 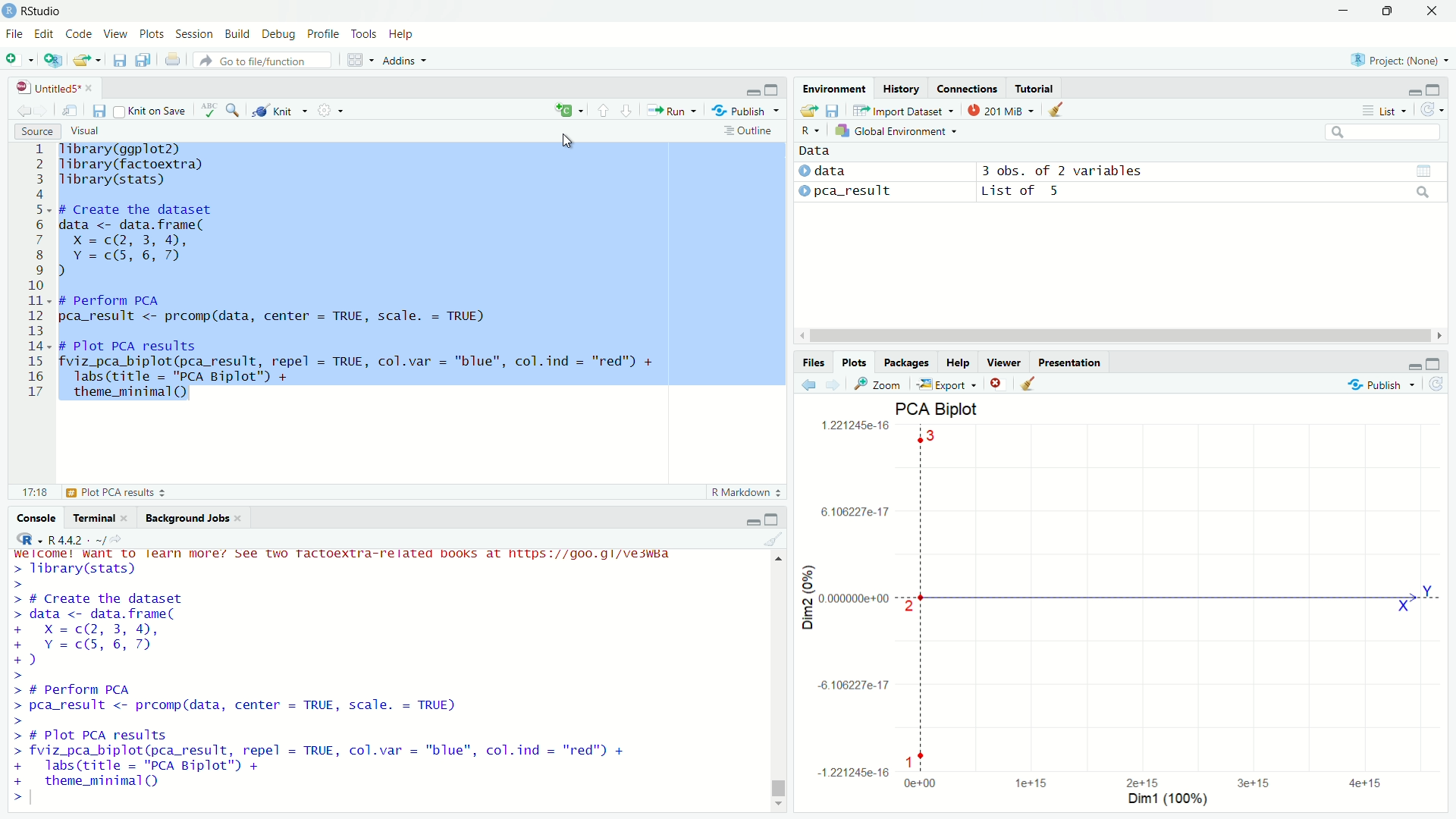 What do you see at coordinates (746, 491) in the screenshot?
I see `r markdown` at bounding box center [746, 491].